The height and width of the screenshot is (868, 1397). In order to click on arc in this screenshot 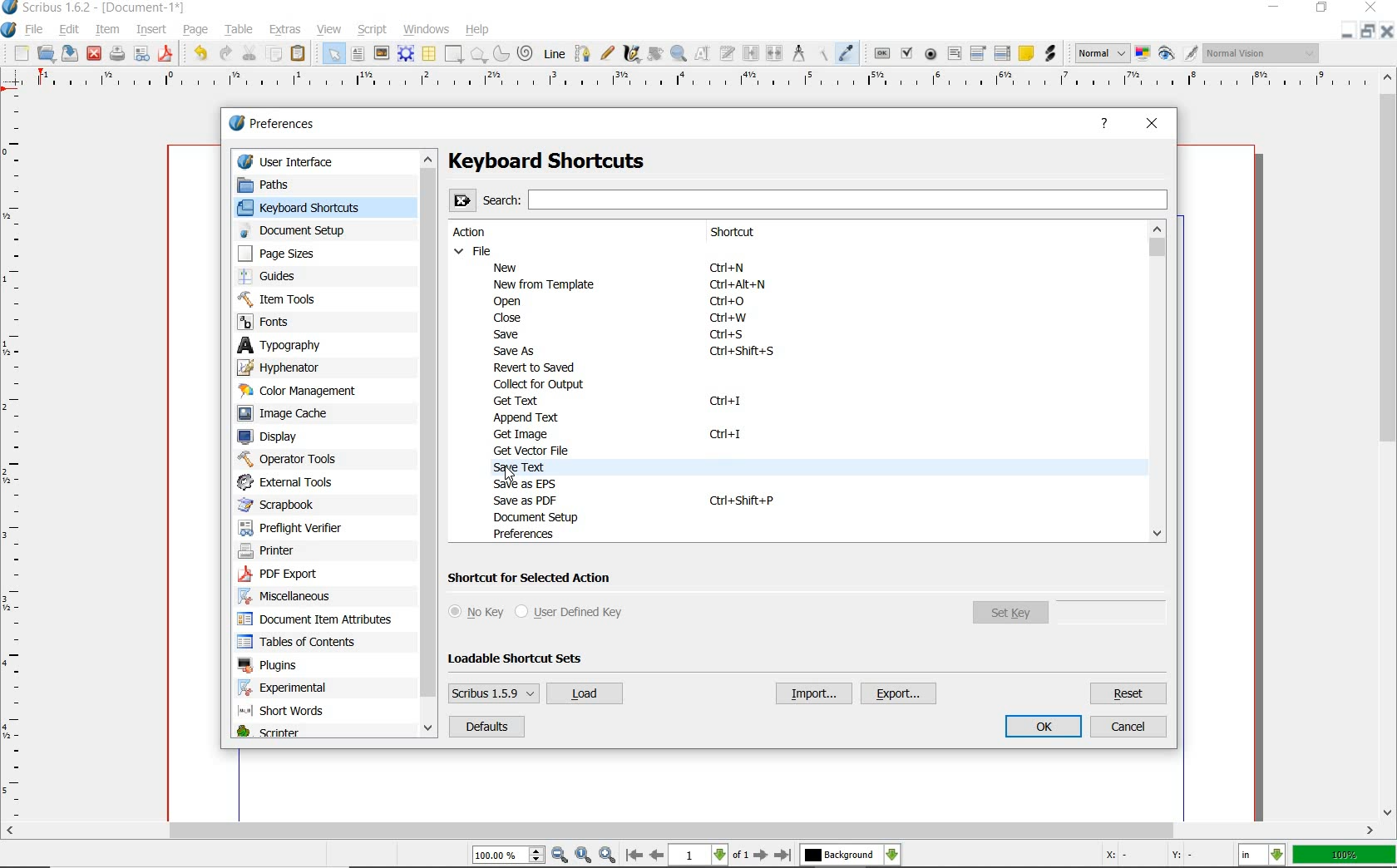, I will do `click(500, 55)`.